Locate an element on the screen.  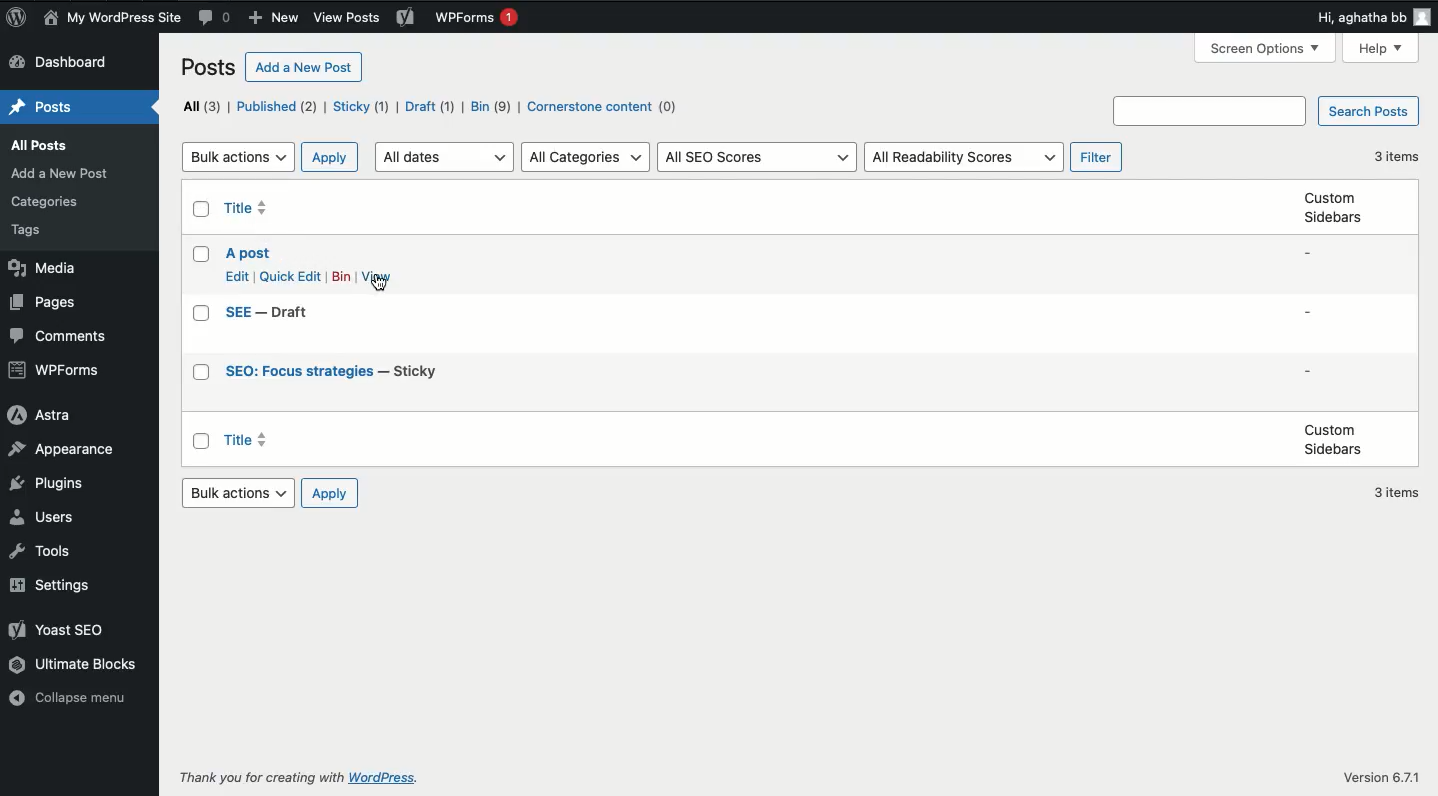
WPForms is located at coordinates (53, 370).